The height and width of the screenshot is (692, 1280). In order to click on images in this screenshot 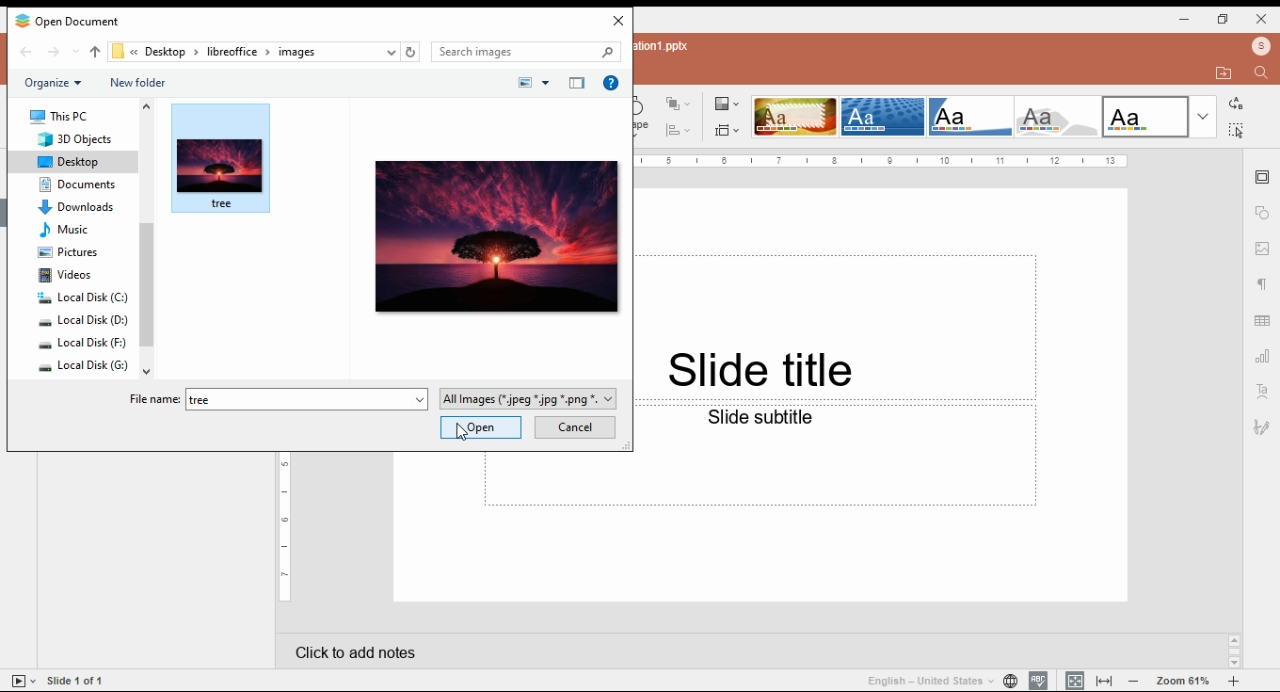, I will do `click(296, 53)`.